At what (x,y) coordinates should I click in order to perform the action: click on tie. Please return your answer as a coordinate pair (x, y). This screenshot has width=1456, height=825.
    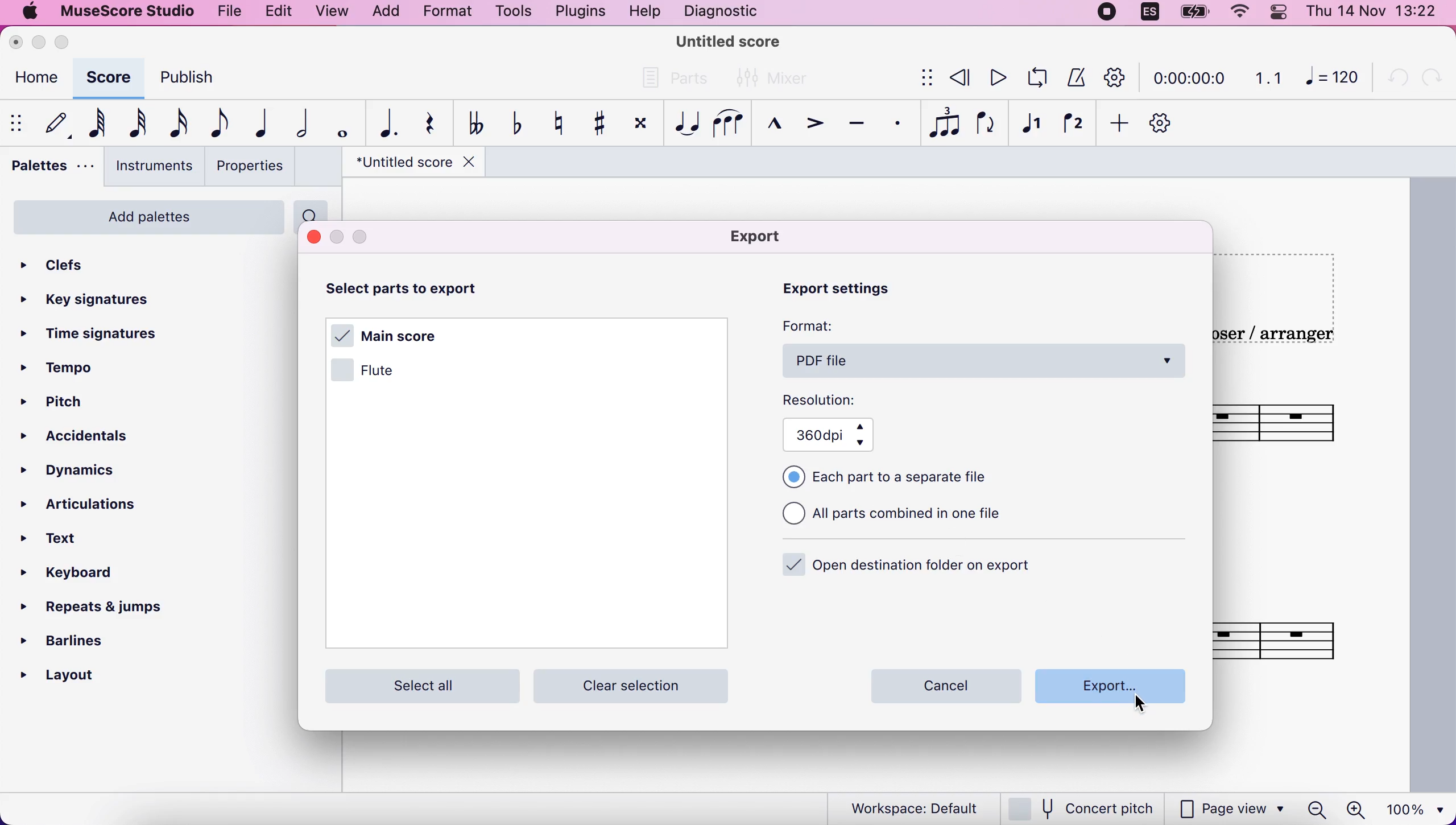
    Looking at the image, I should click on (685, 125).